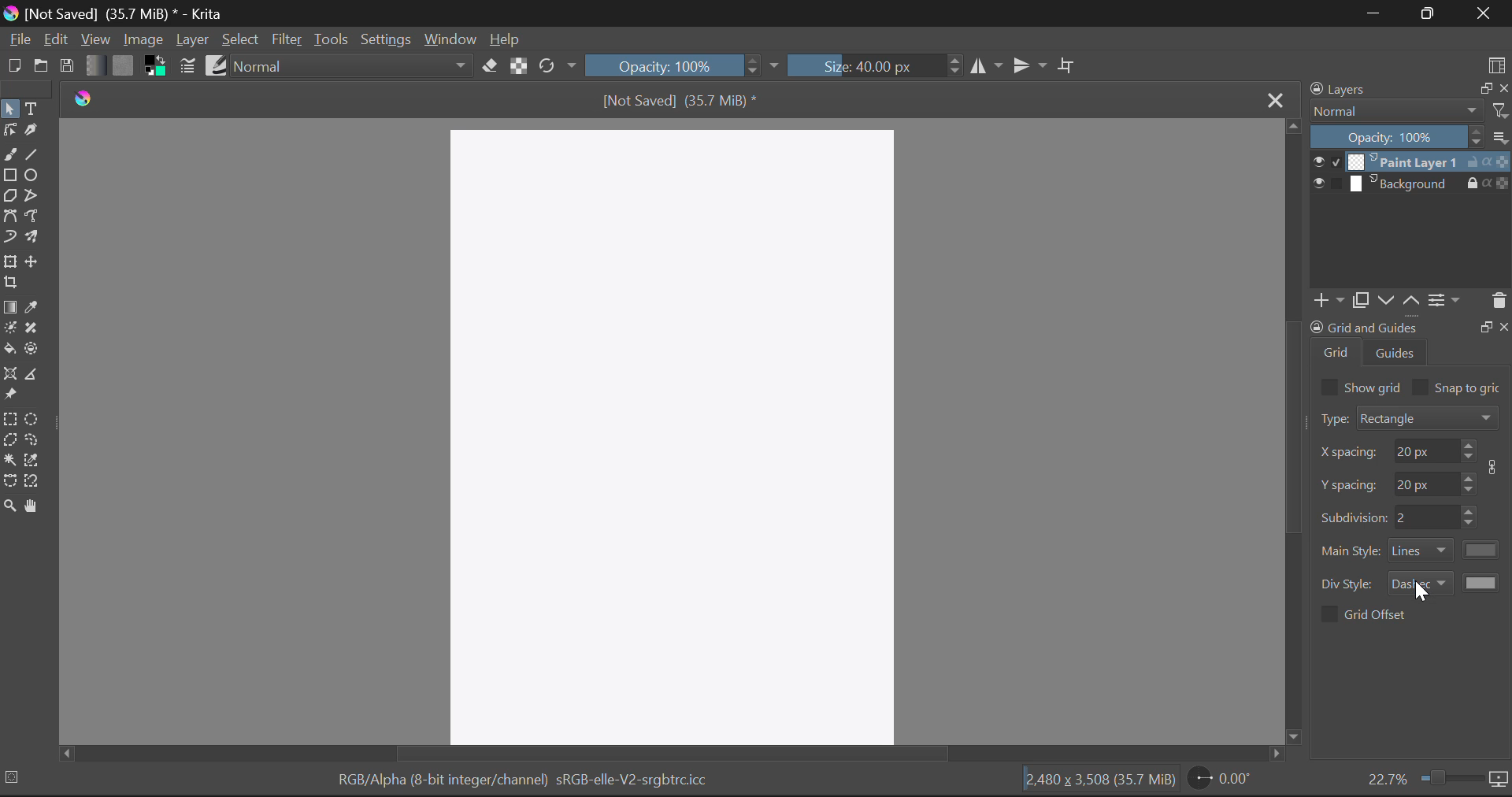 The width and height of the screenshot is (1512, 797). Describe the element at coordinates (41, 68) in the screenshot. I see `Open` at that location.